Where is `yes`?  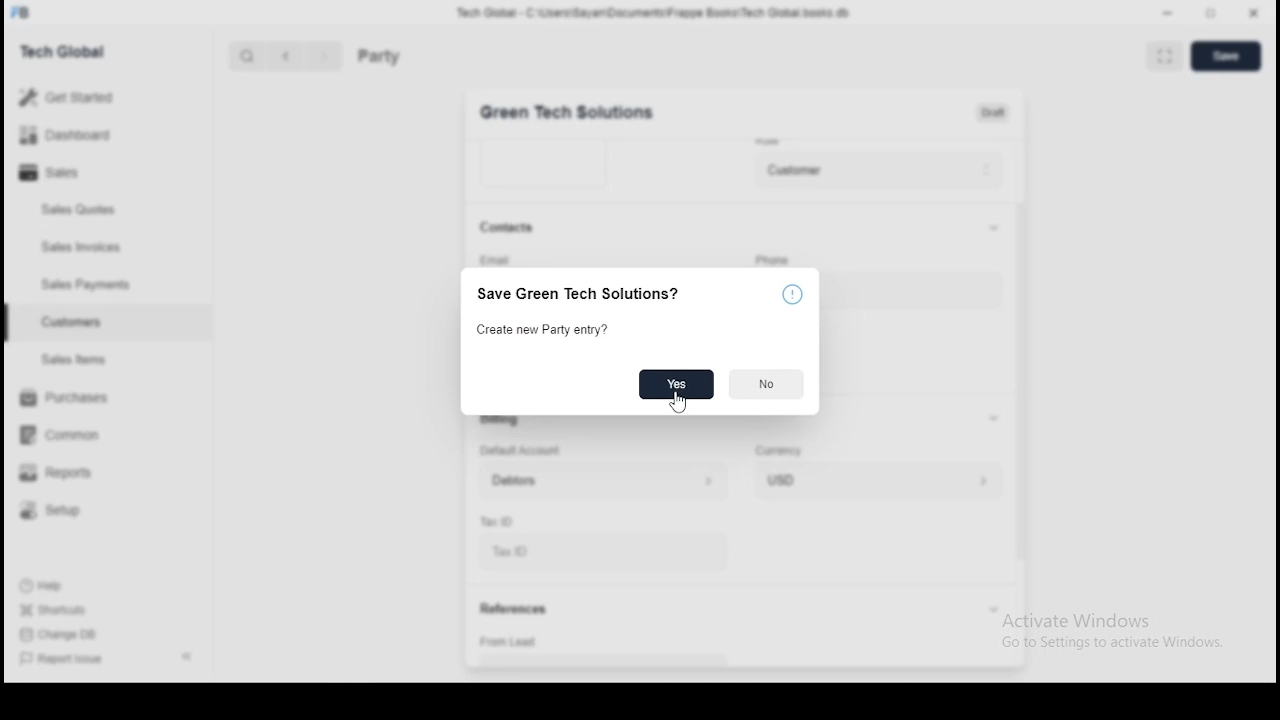
yes is located at coordinates (676, 384).